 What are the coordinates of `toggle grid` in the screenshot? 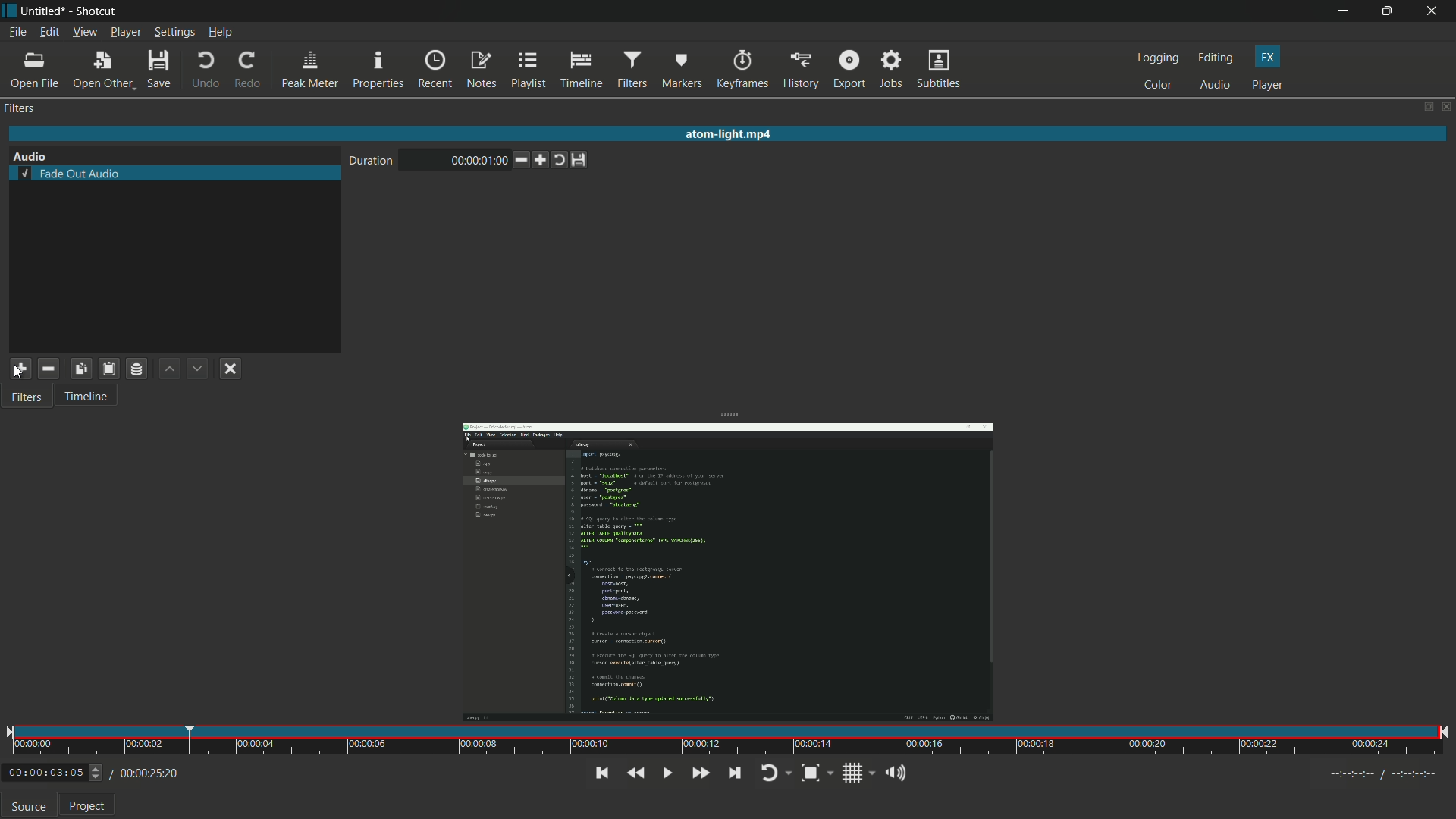 It's located at (853, 773).